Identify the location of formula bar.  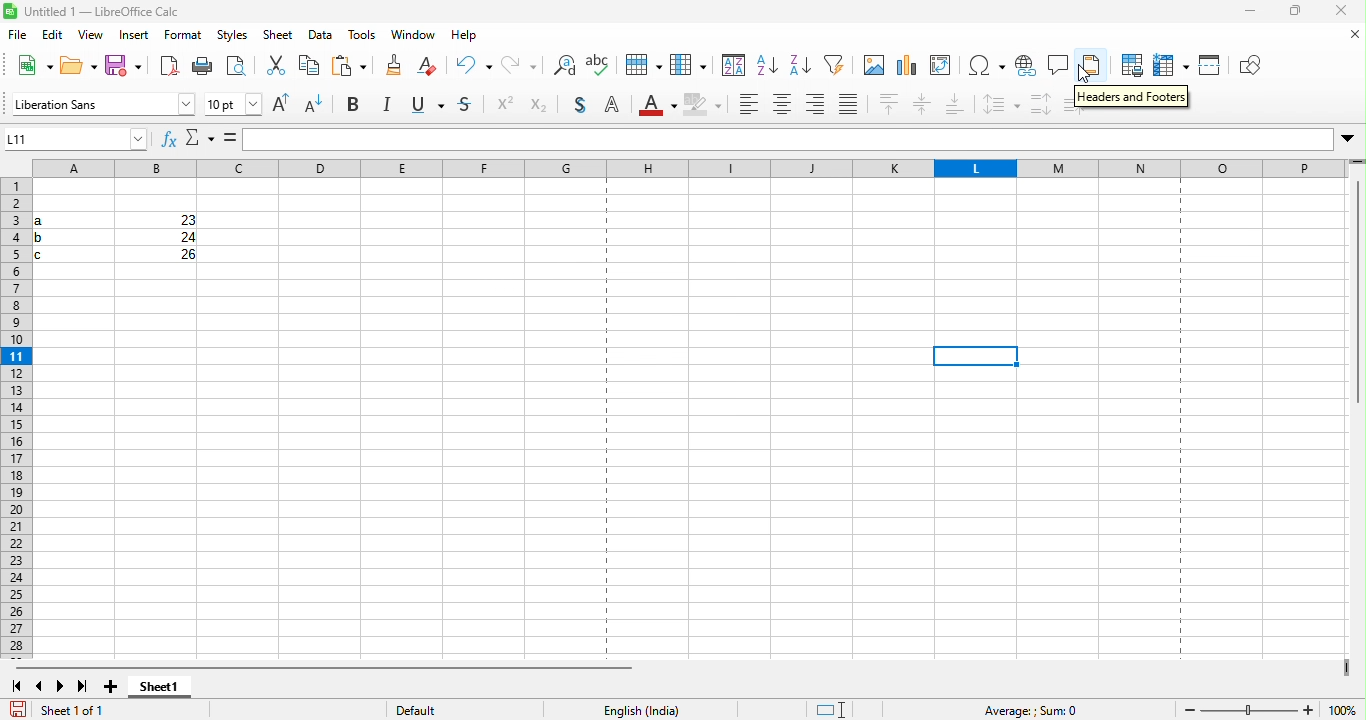
(802, 137).